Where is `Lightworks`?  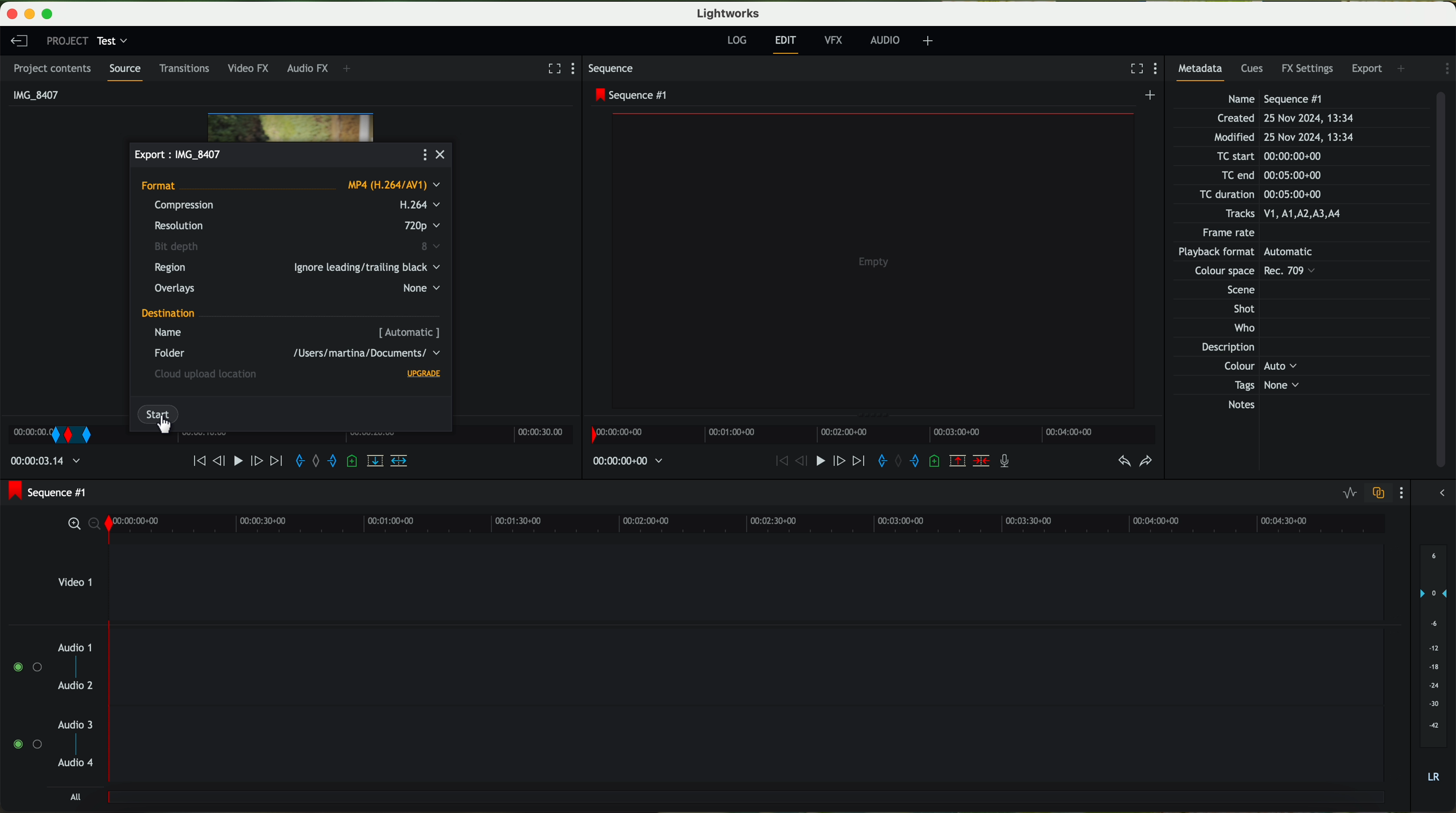 Lightworks is located at coordinates (727, 14).